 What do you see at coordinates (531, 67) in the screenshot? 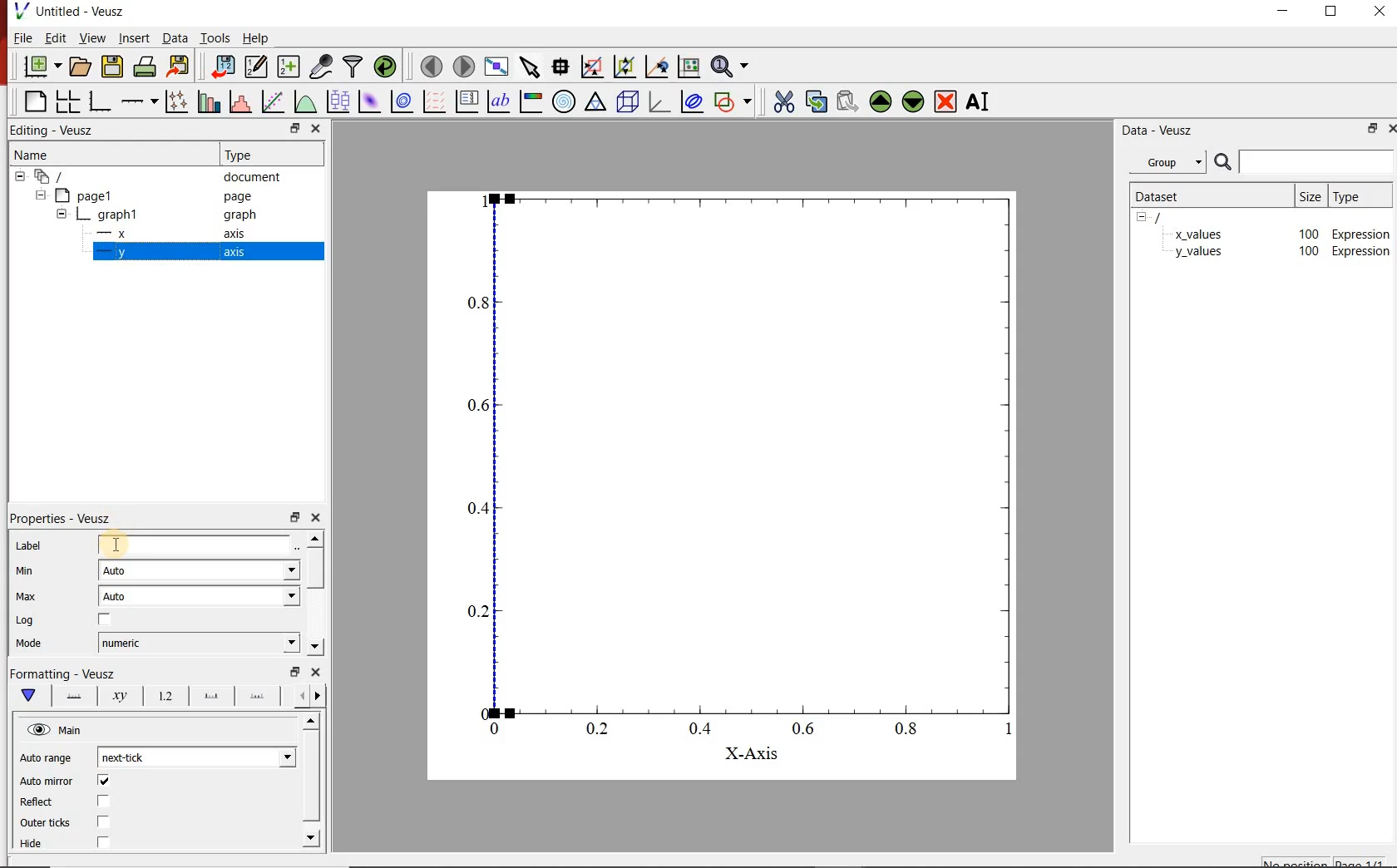
I see `select items from the graph` at bounding box center [531, 67].